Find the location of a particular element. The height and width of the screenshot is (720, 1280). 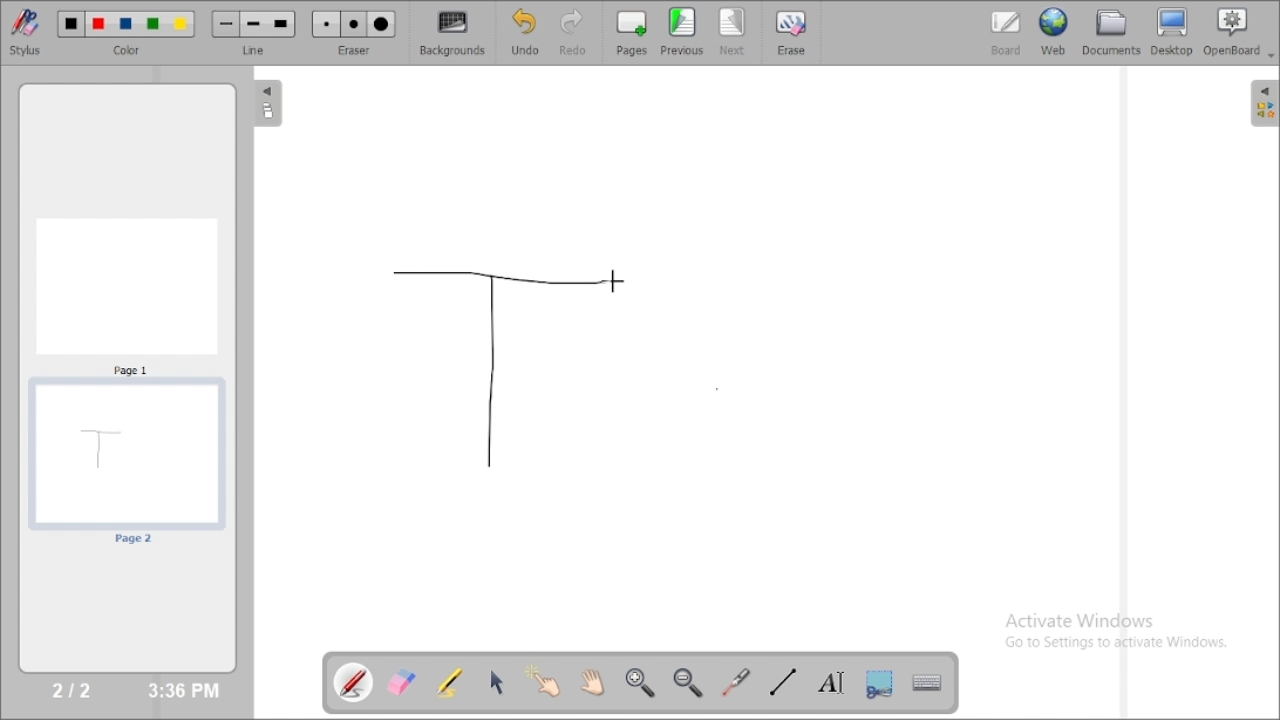

Page 1 is located at coordinates (127, 295).